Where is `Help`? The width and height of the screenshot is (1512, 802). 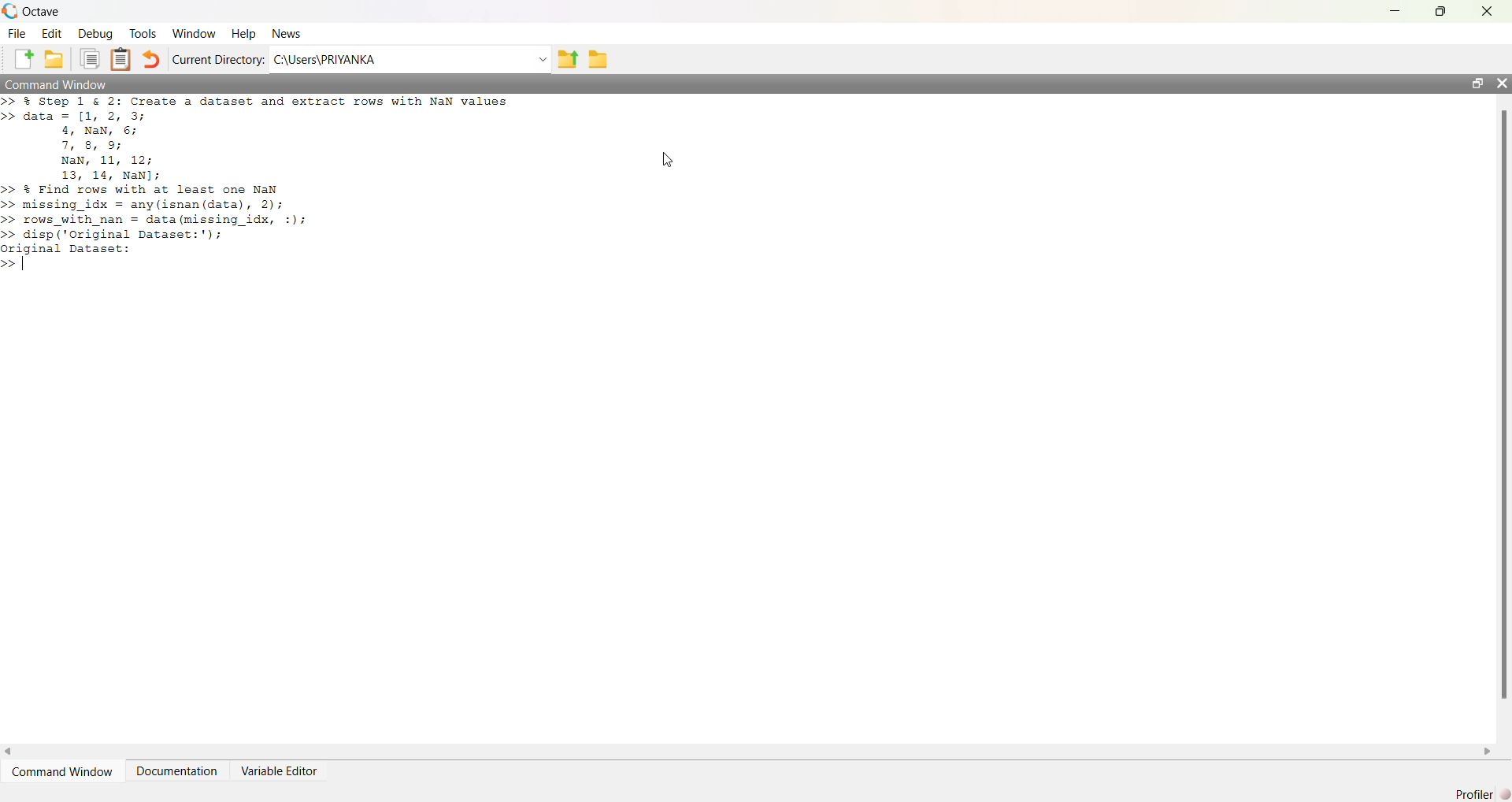
Help is located at coordinates (243, 35).